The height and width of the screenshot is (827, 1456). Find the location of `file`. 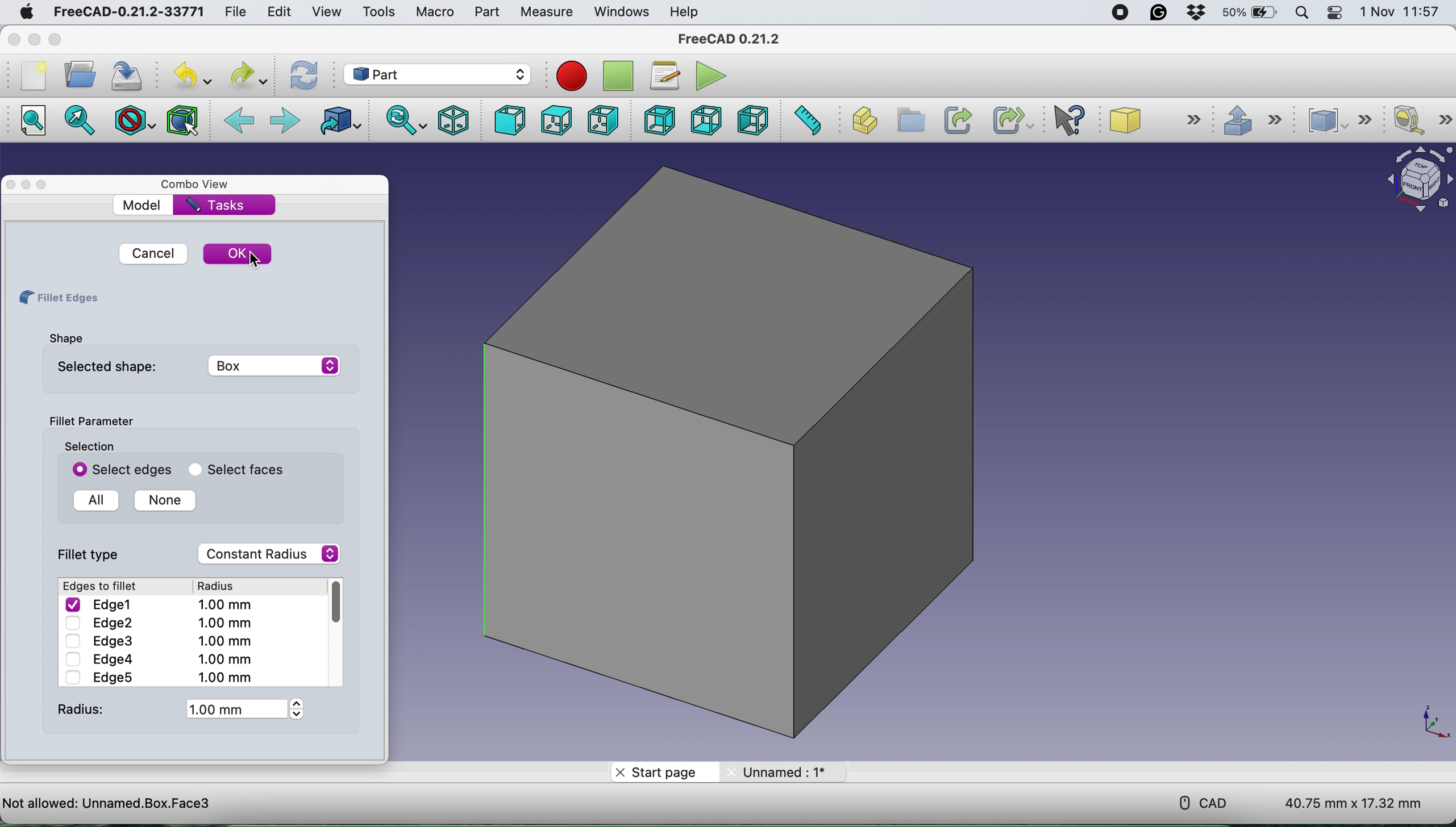

file is located at coordinates (236, 10).